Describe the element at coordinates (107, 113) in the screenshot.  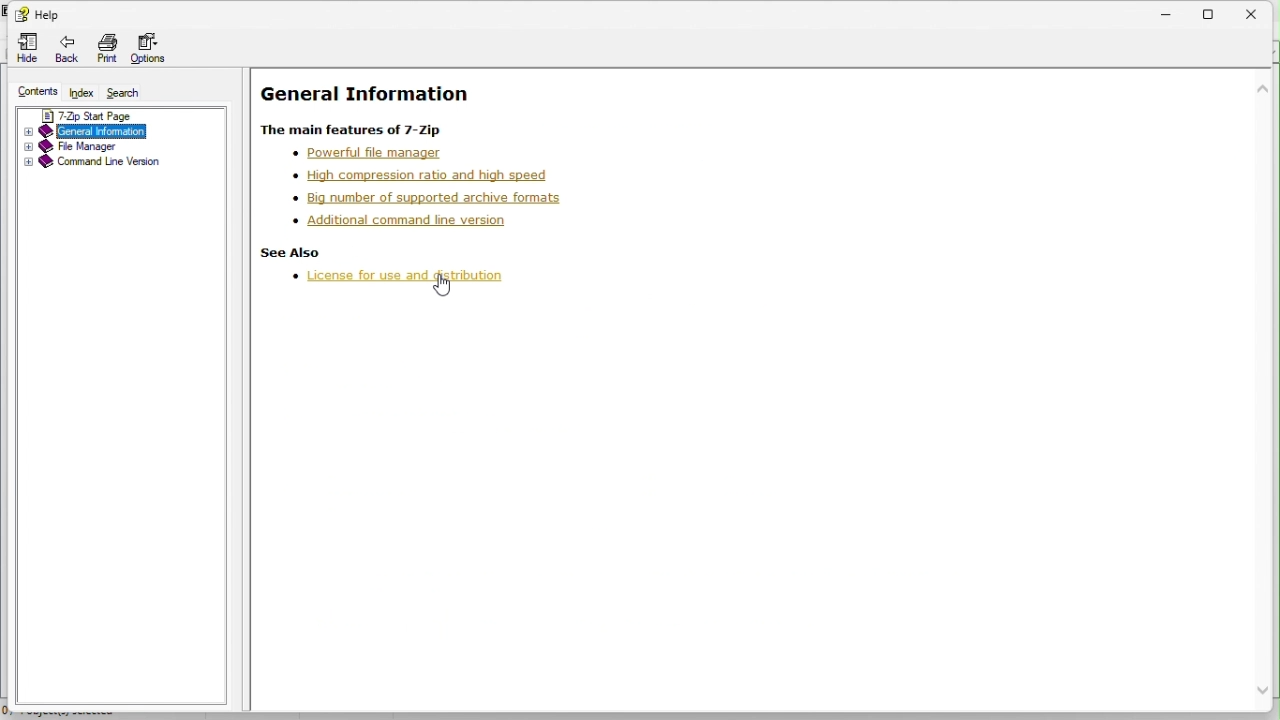
I see `7 zip start page` at that location.